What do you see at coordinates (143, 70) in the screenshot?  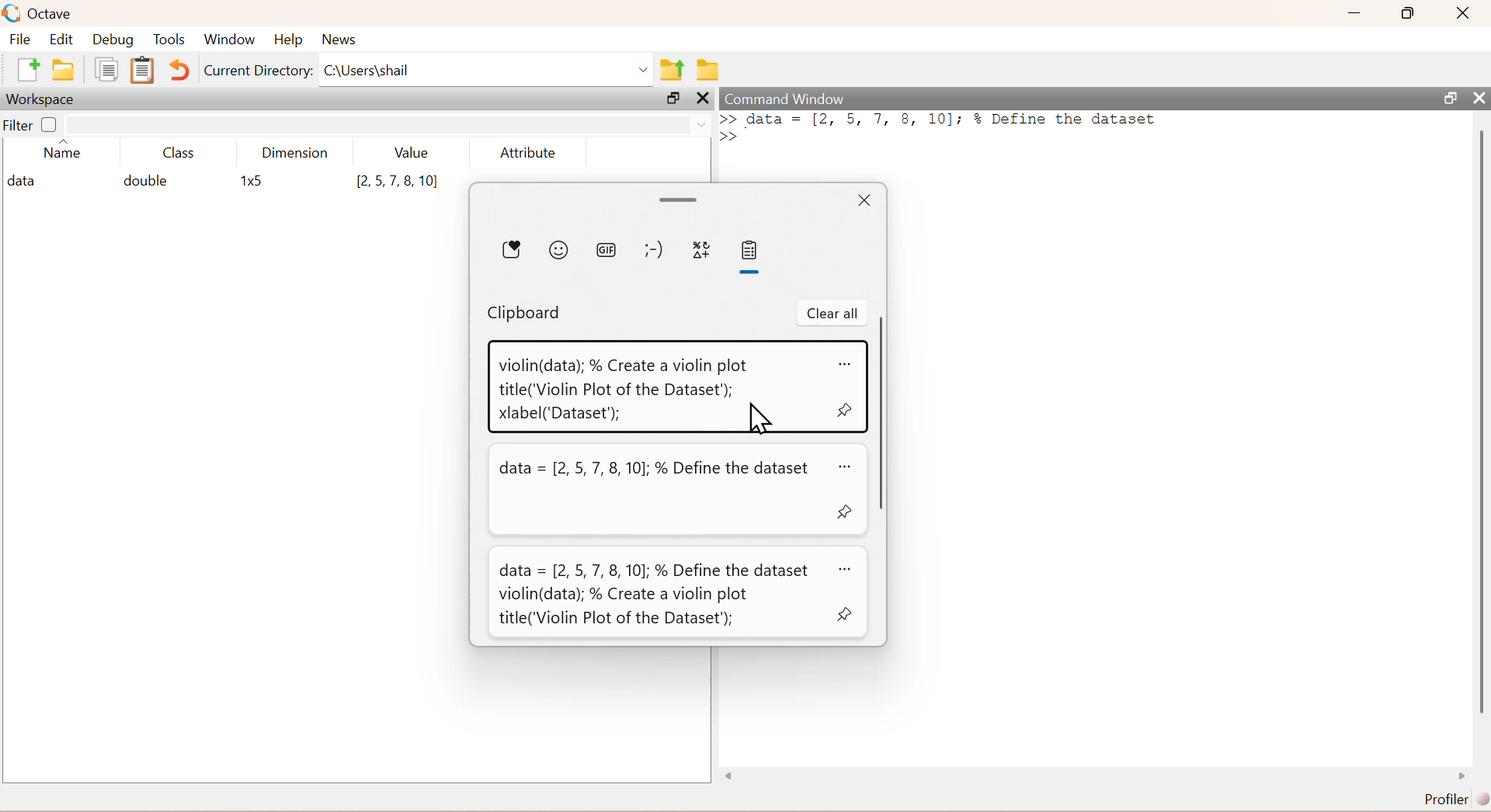 I see `Clipboard` at bounding box center [143, 70].